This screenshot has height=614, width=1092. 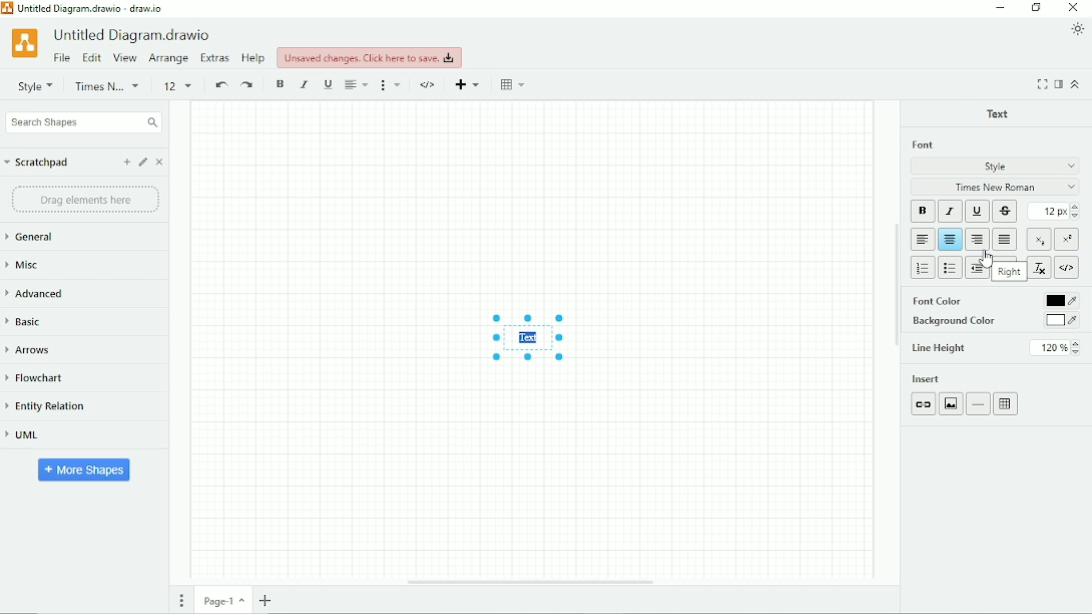 I want to click on white, so click(x=1061, y=320).